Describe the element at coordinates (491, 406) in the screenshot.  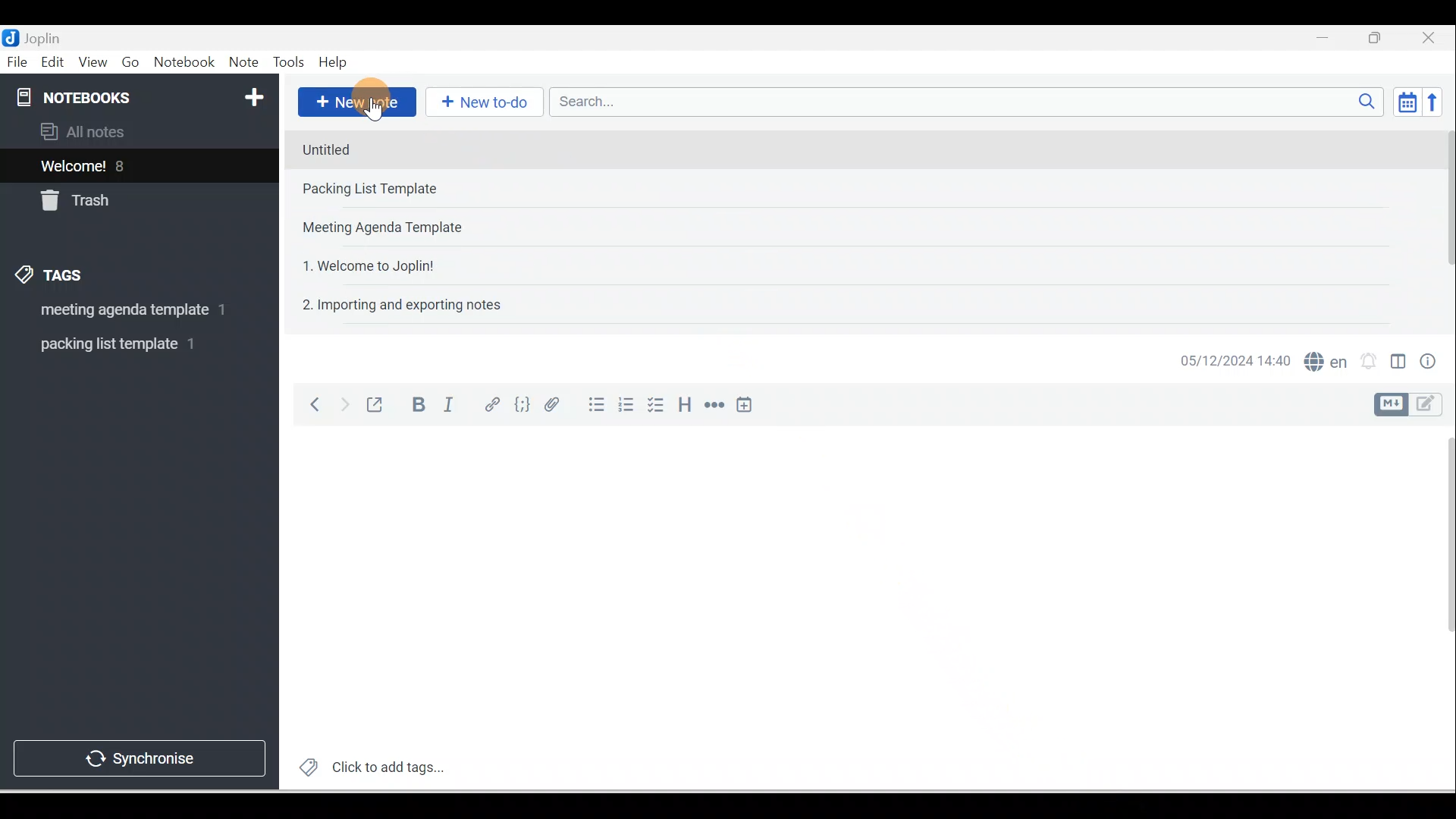
I see `Hyperlink` at that location.